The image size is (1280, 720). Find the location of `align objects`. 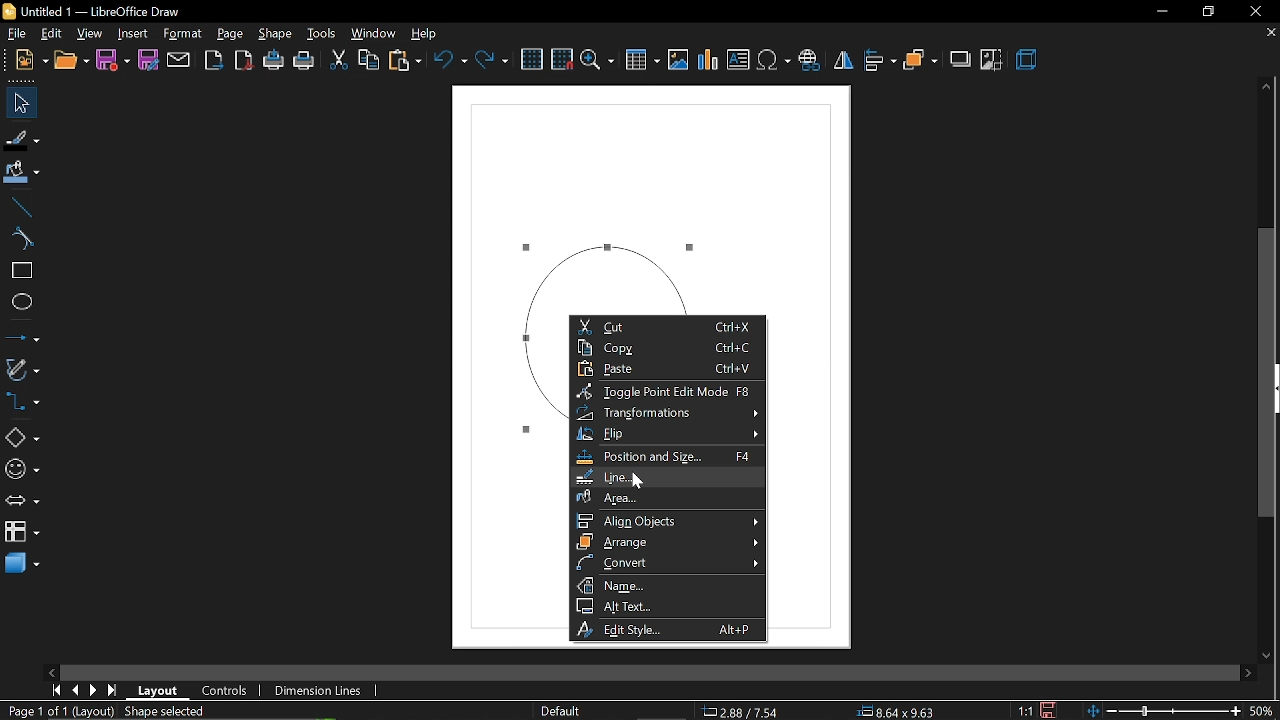

align objects is located at coordinates (669, 519).